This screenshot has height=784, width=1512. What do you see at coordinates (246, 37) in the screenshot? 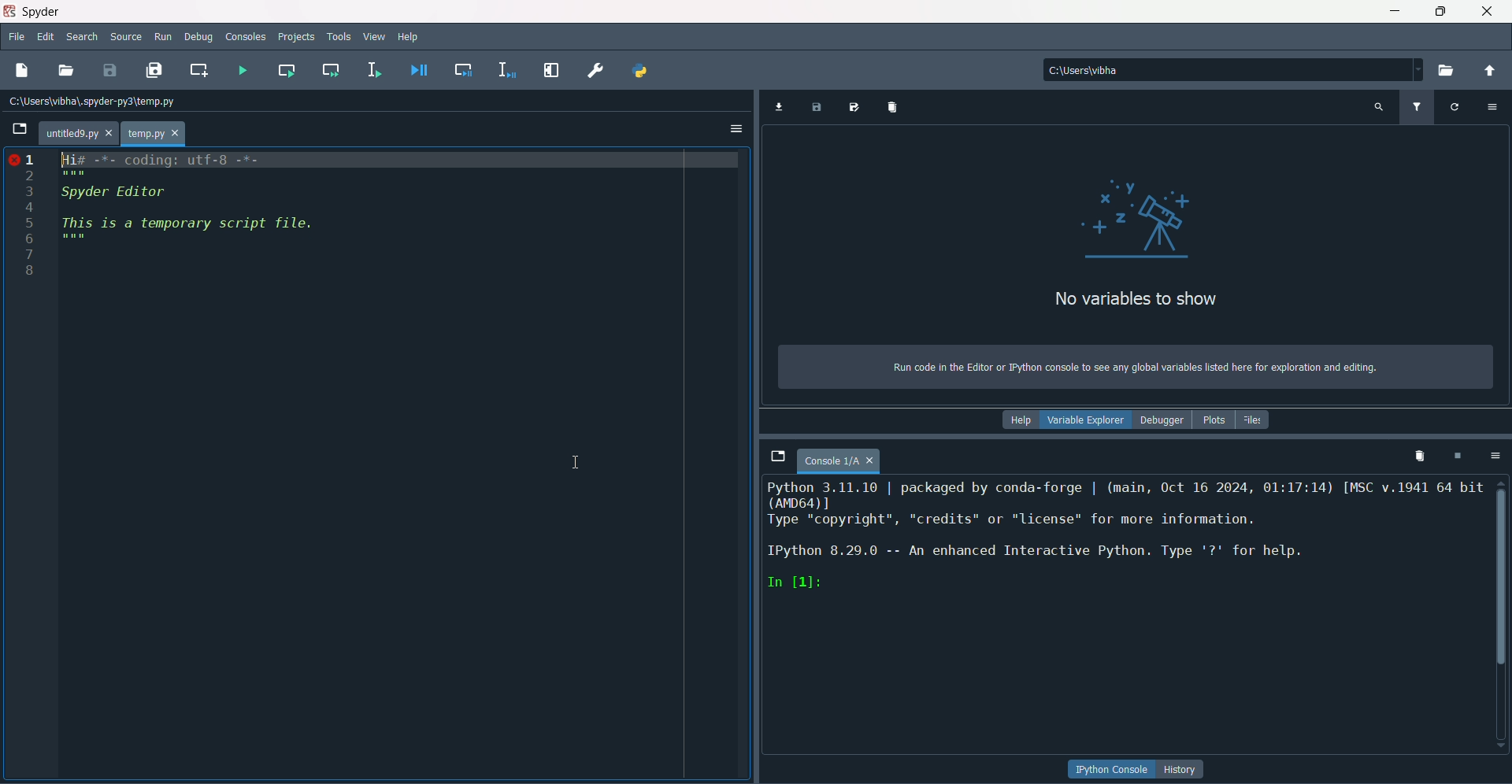
I see `consoles` at bounding box center [246, 37].